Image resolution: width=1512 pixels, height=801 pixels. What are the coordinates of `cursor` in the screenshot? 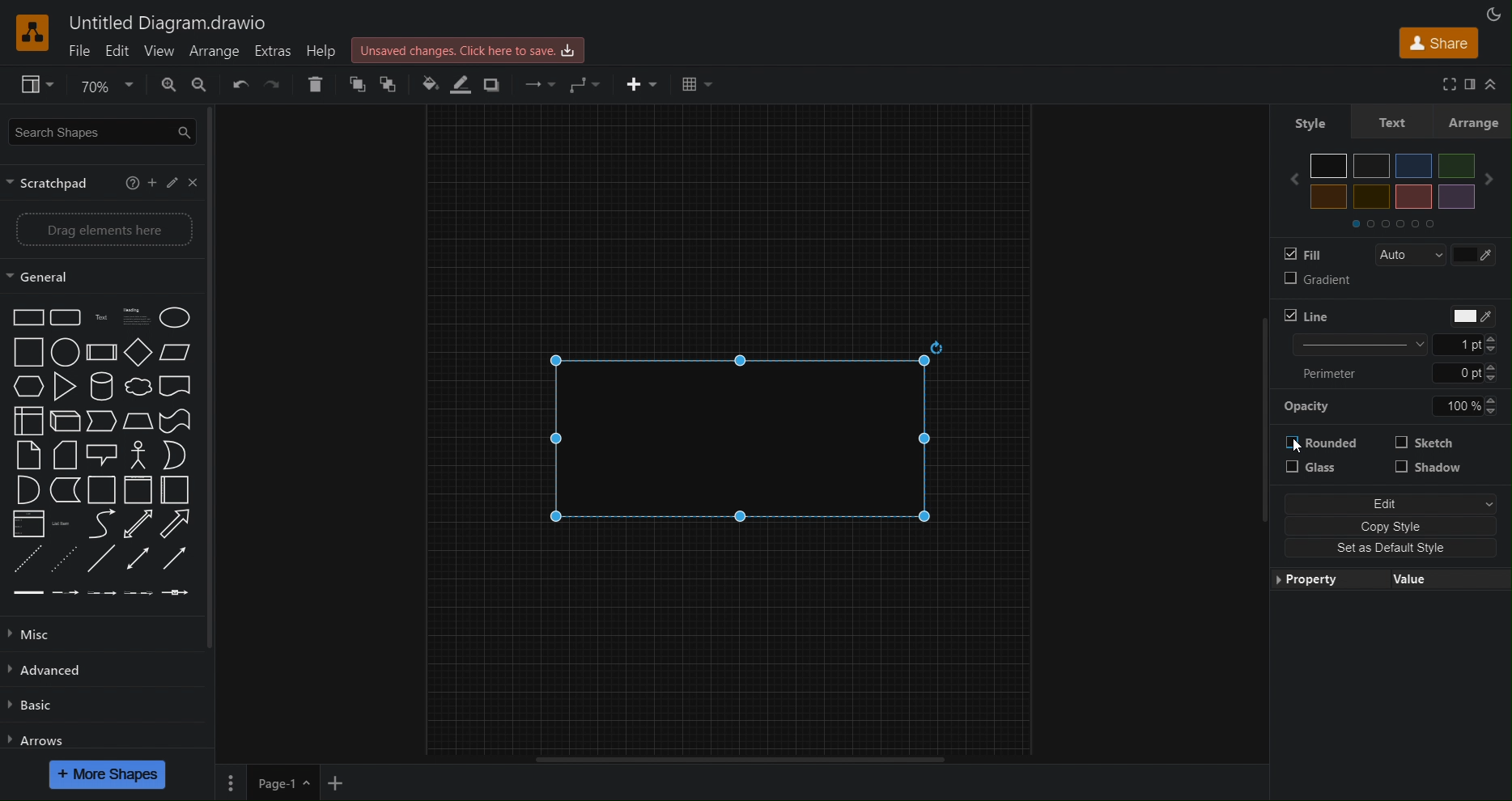 It's located at (1298, 447).